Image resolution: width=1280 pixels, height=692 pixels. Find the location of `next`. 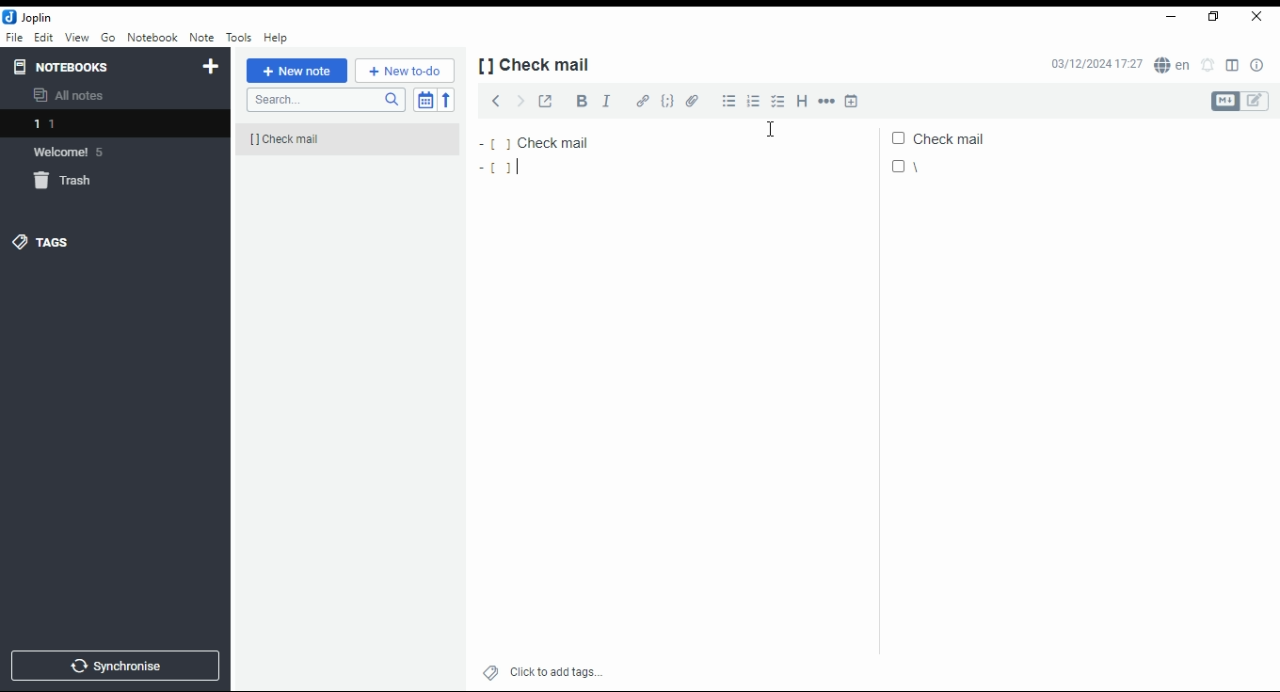

next is located at coordinates (520, 100).